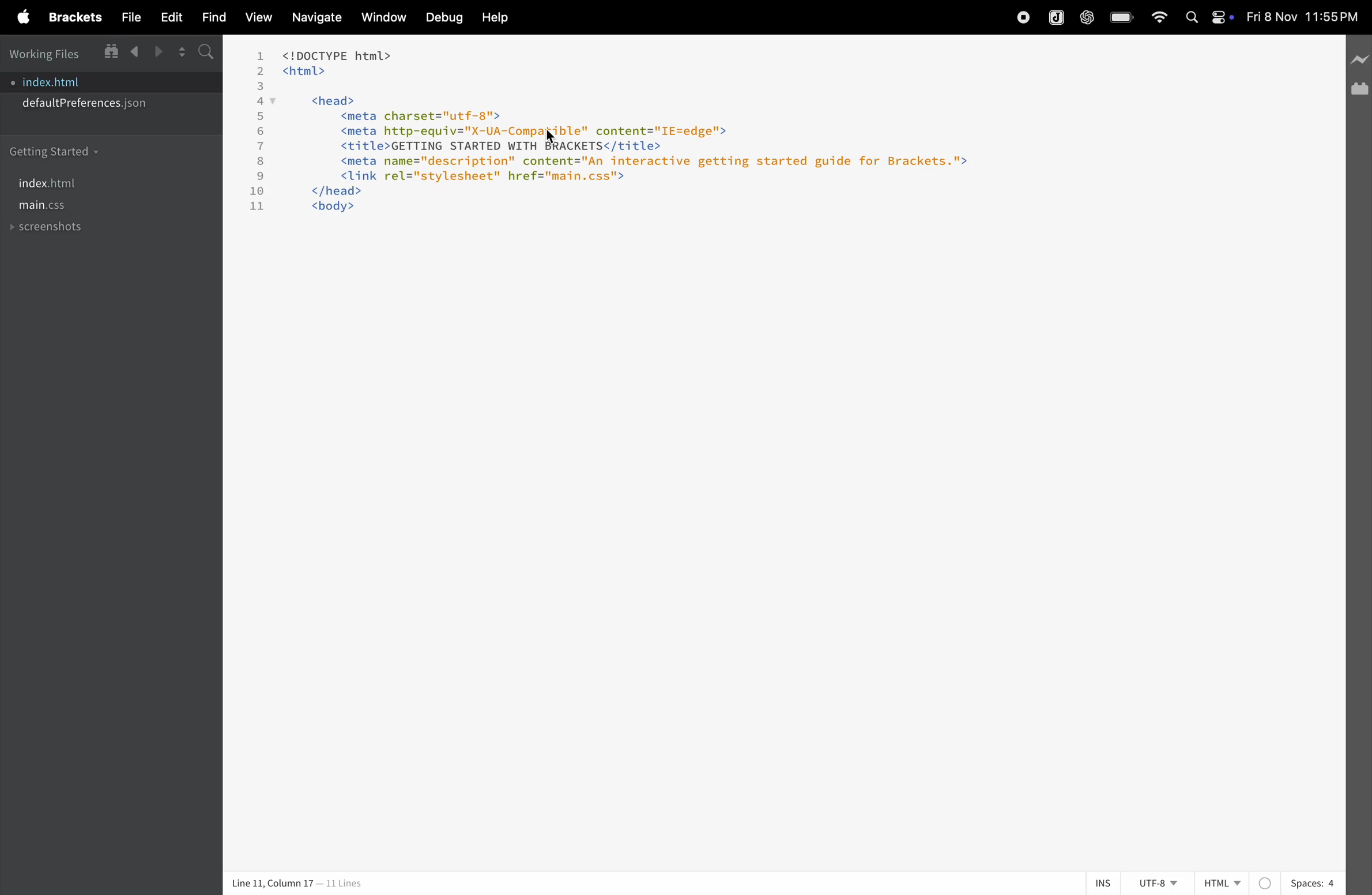 The width and height of the screenshot is (1372, 895). I want to click on html, so click(1223, 878).